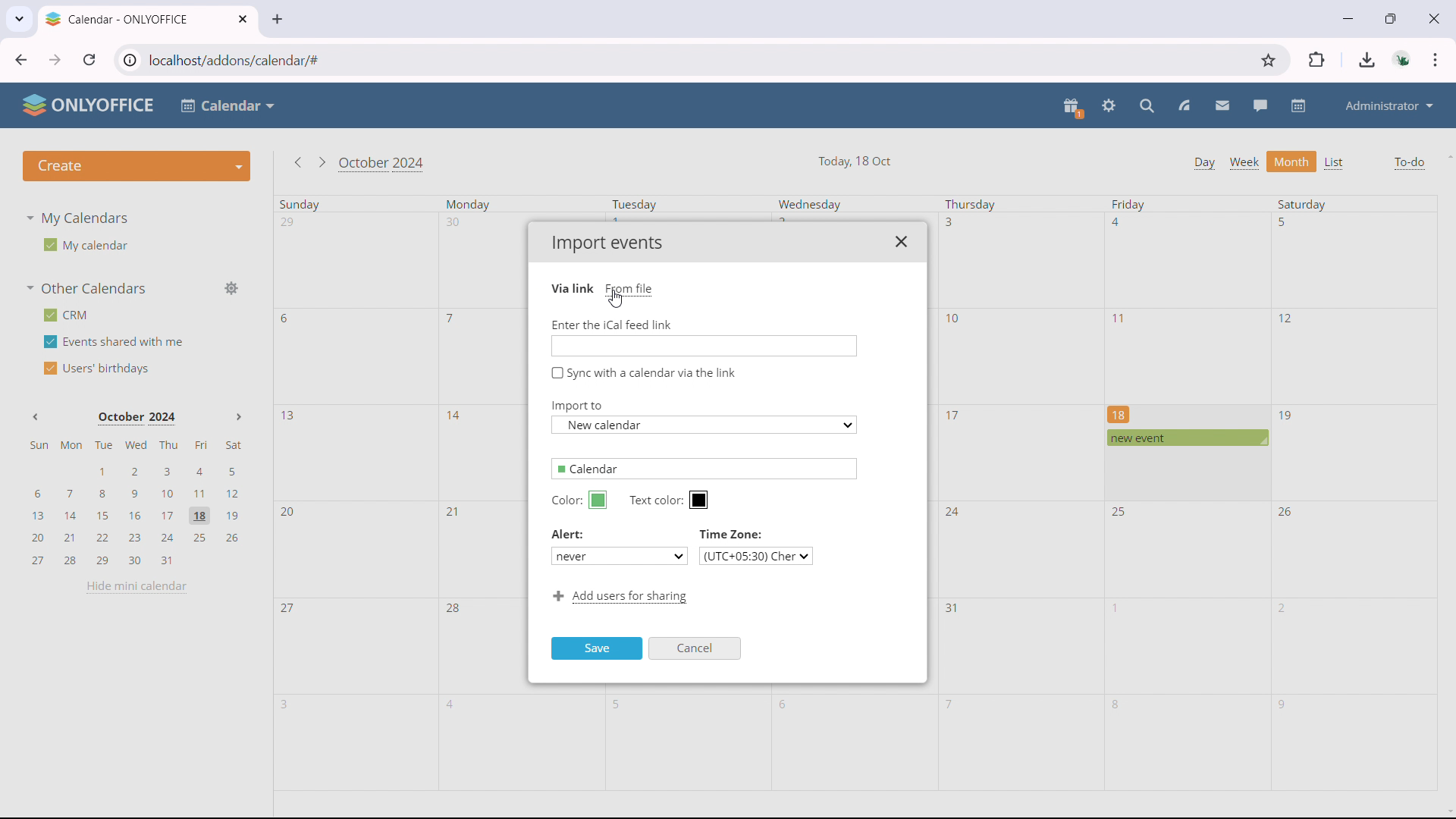  Describe the element at coordinates (321, 162) in the screenshot. I see `go to next month` at that location.